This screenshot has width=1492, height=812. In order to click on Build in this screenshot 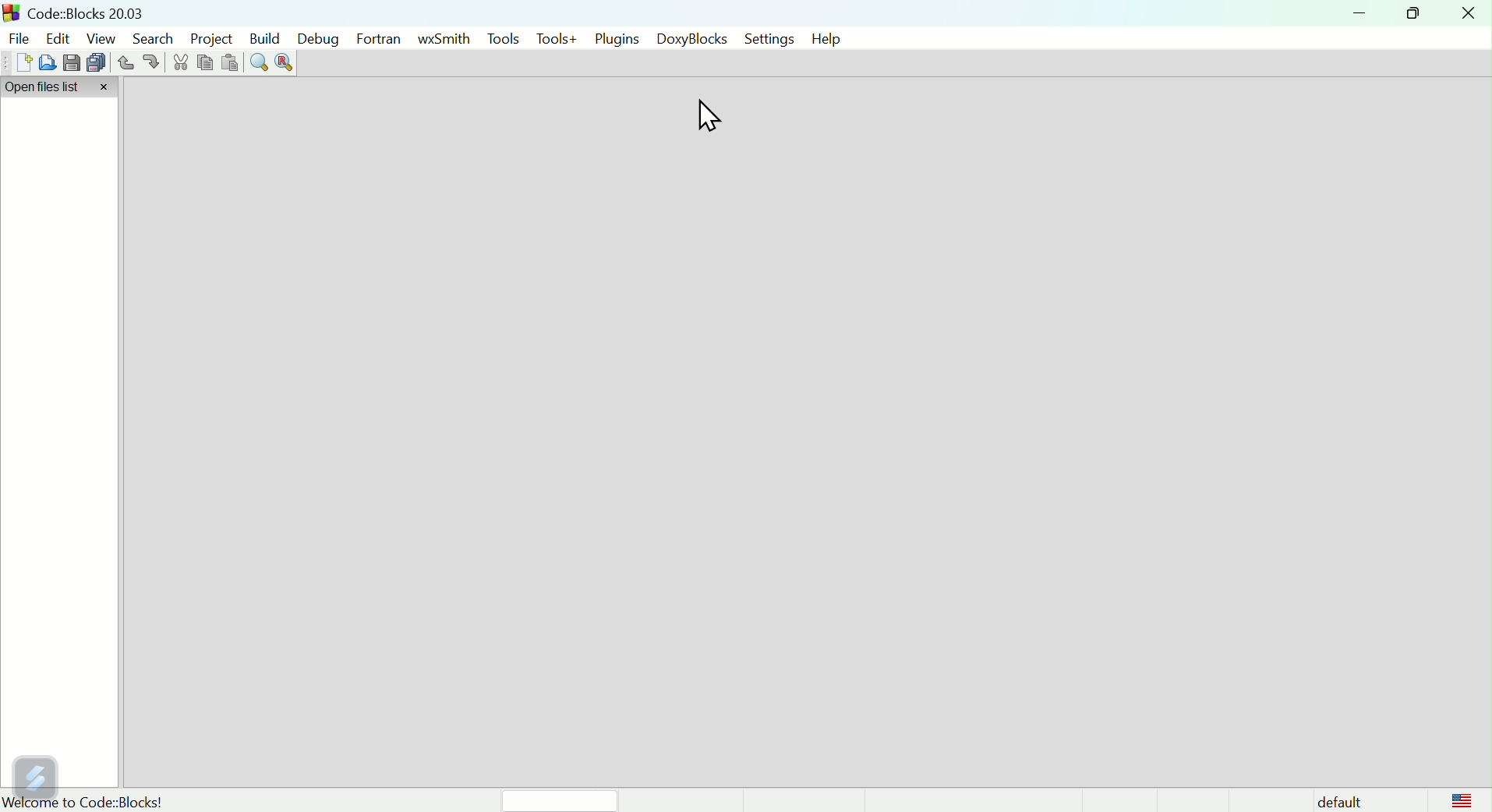, I will do `click(266, 38)`.